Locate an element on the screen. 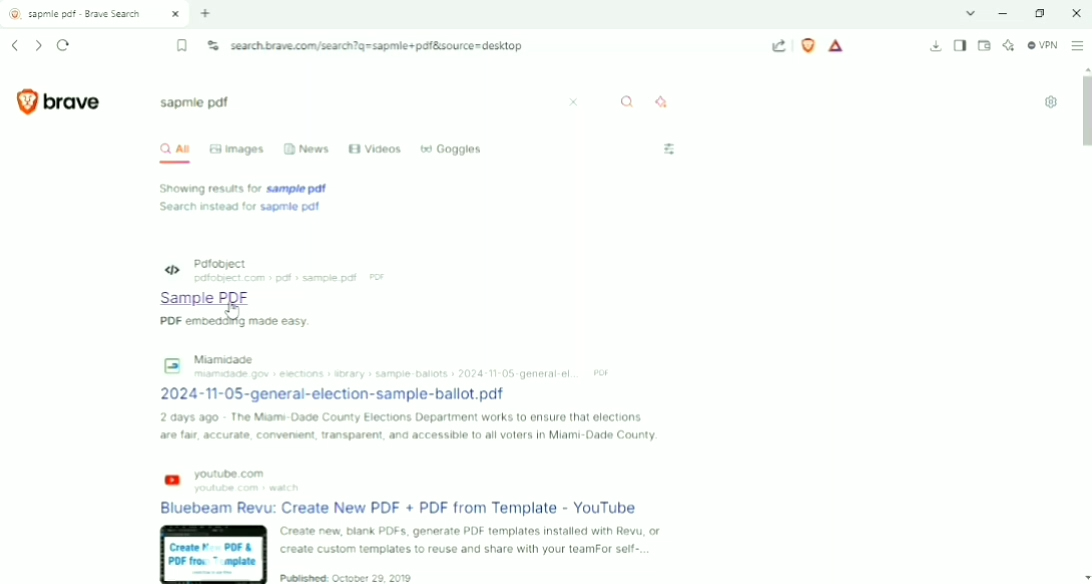 The width and height of the screenshot is (1092, 584). Downloads is located at coordinates (936, 47).